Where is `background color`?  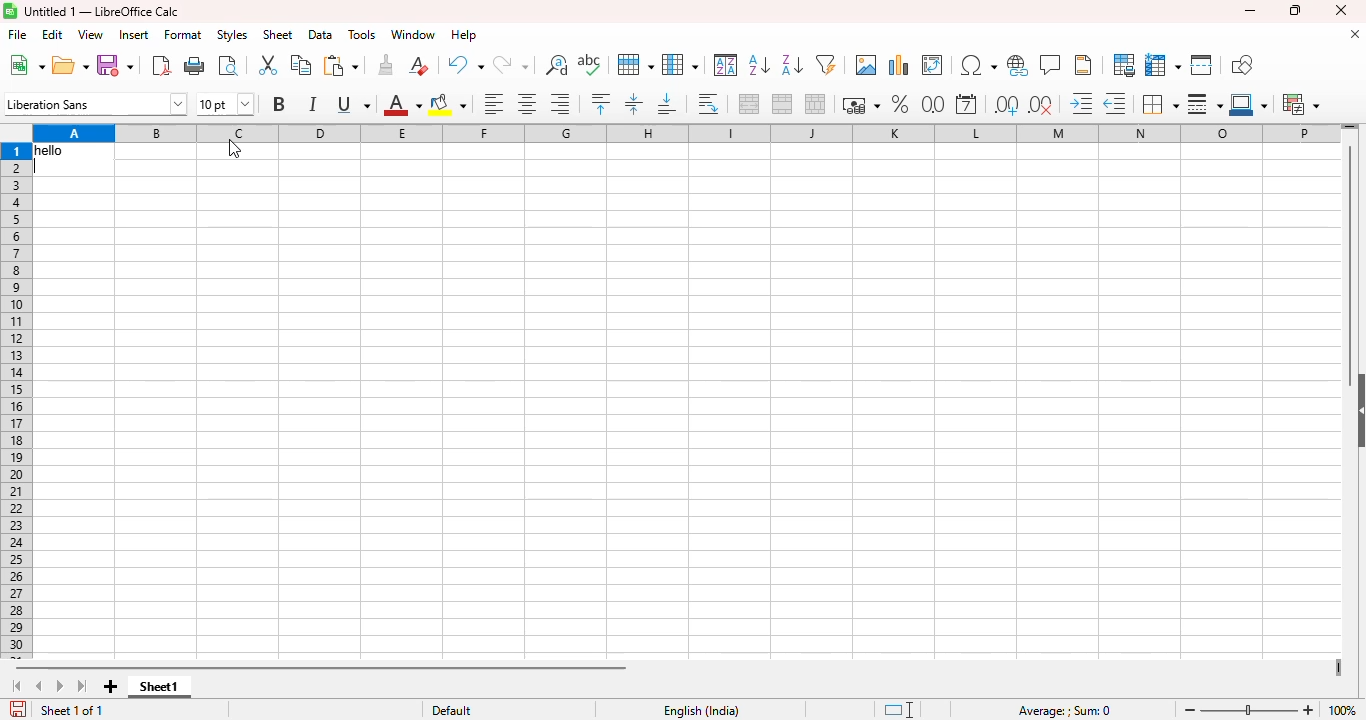
background color is located at coordinates (449, 105).